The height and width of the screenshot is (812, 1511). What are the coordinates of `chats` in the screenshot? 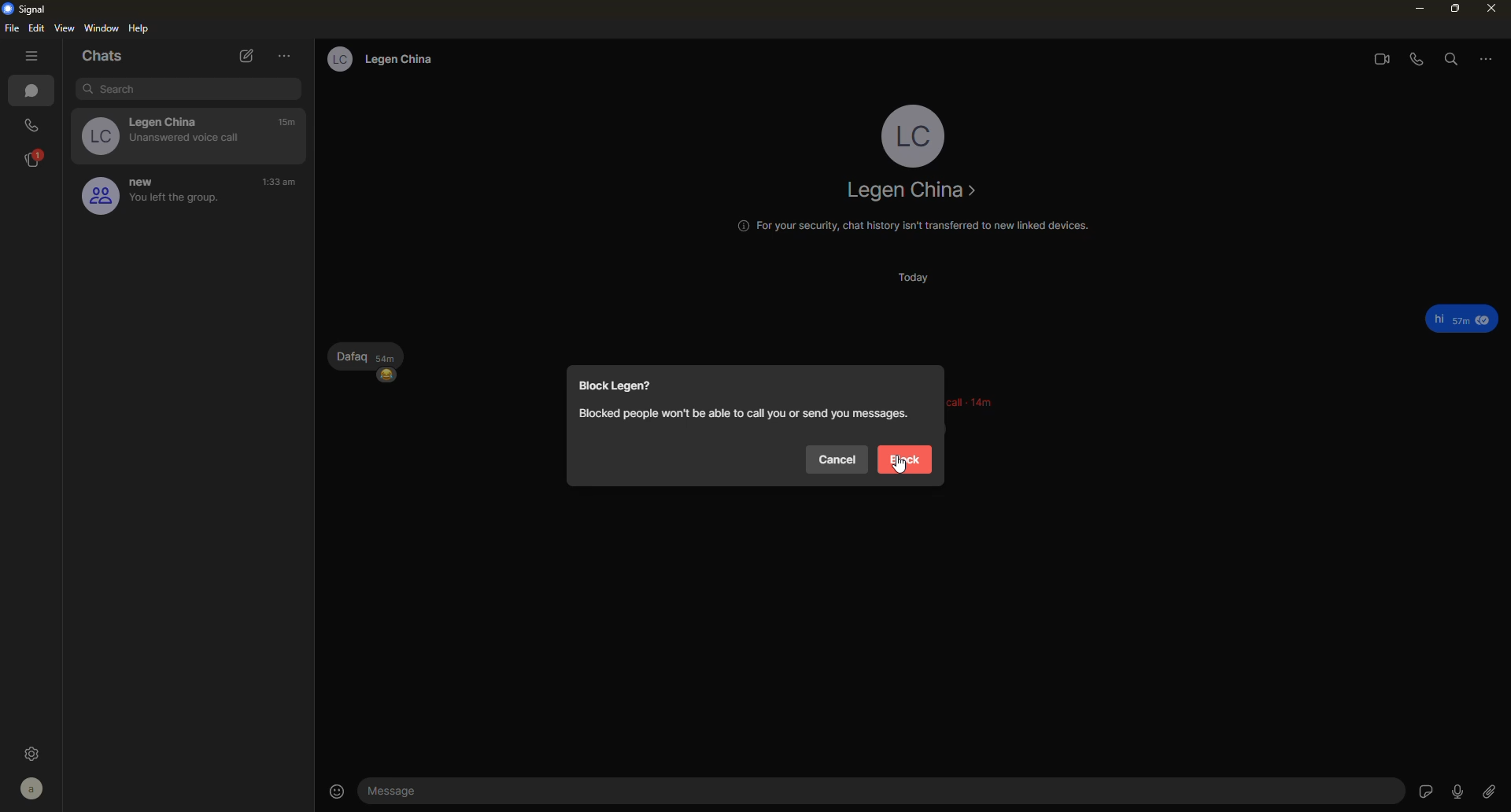 It's located at (106, 55).